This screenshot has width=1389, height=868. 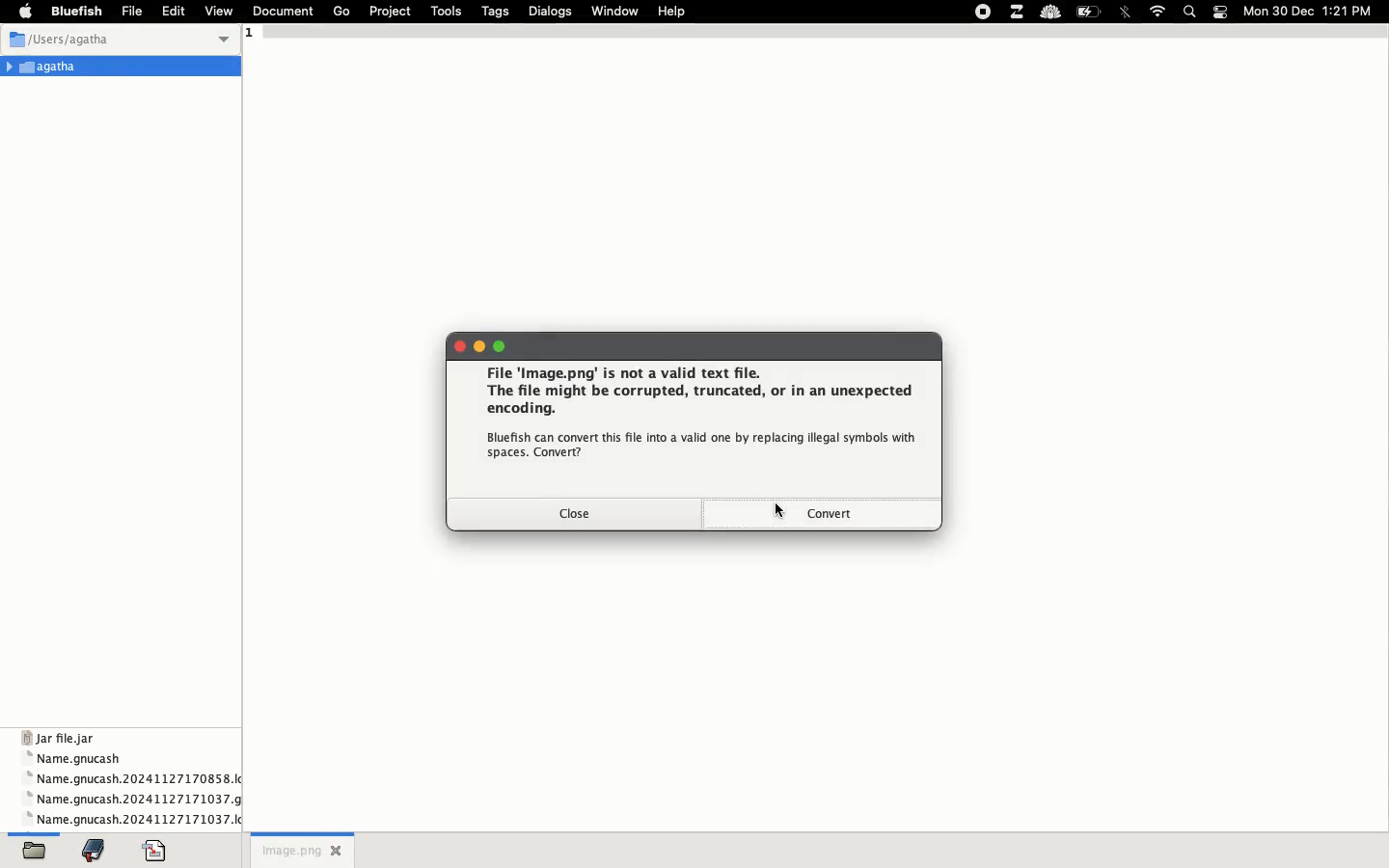 I want to click on search, so click(x=1189, y=12).